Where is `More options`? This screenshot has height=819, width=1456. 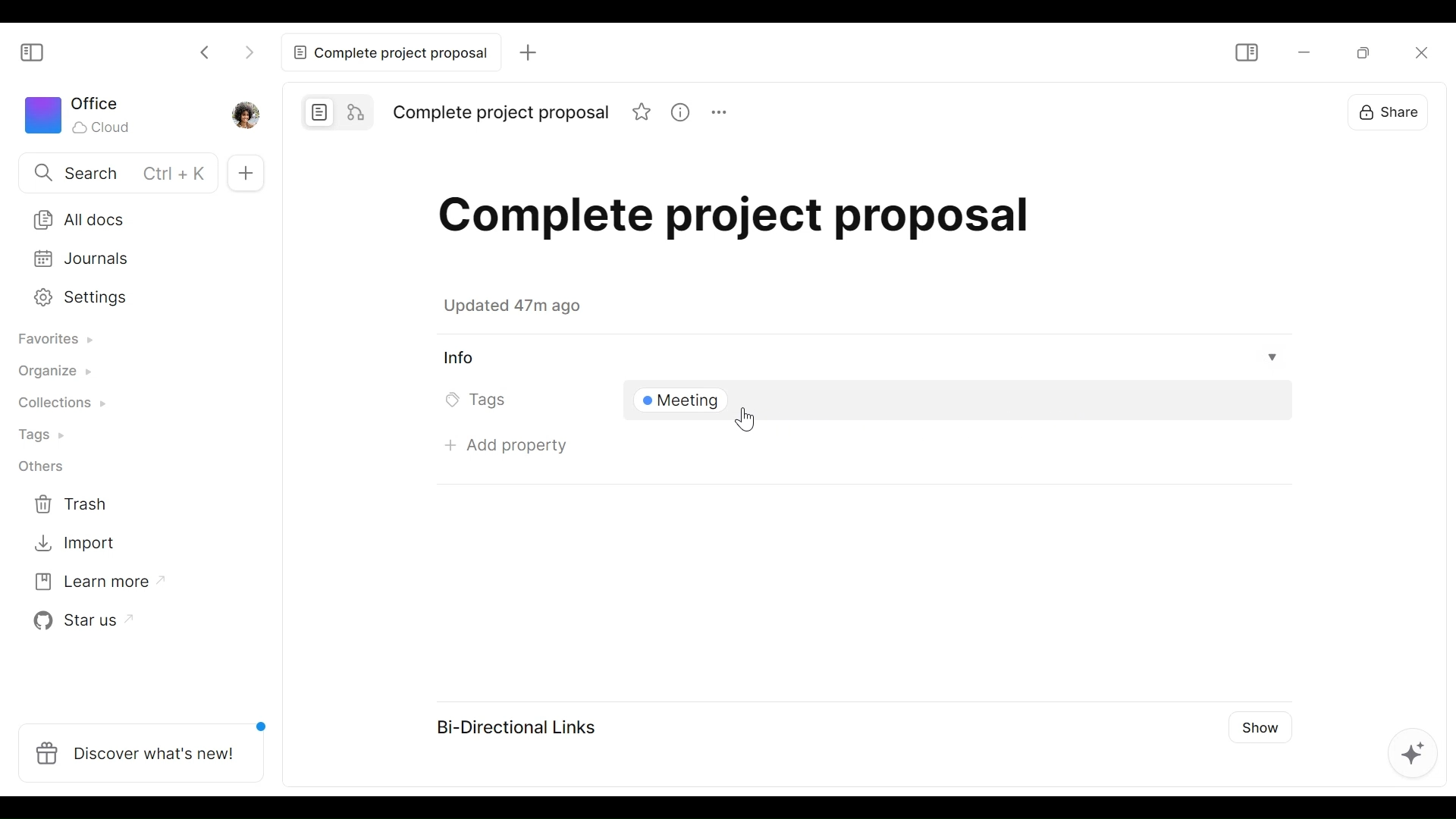
More options is located at coordinates (717, 111).